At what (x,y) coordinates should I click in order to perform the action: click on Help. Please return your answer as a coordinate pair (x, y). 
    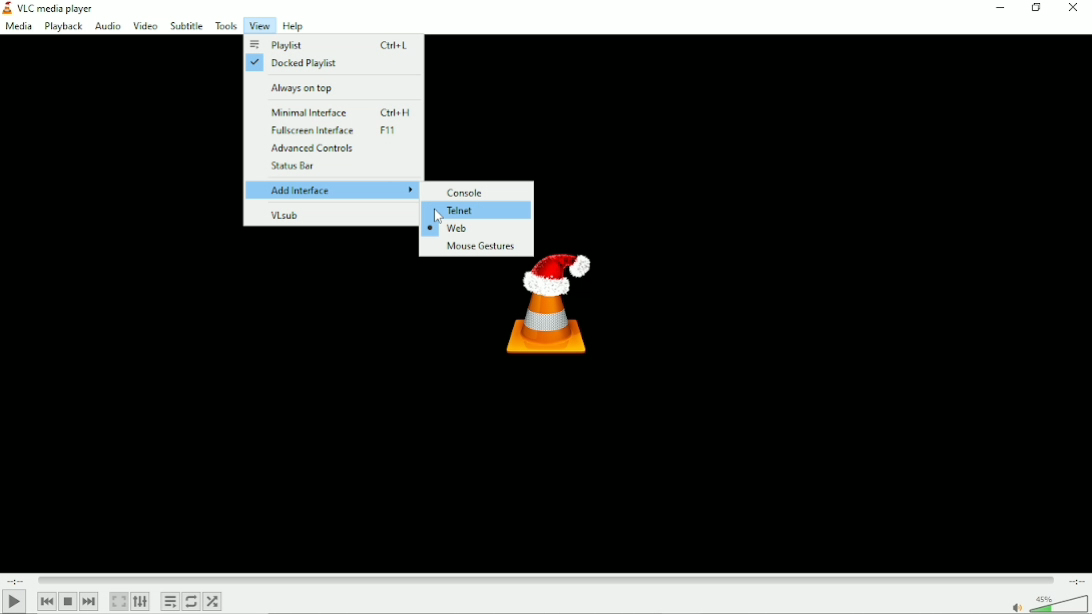
    Looking at the image, I should click on (293, 26).